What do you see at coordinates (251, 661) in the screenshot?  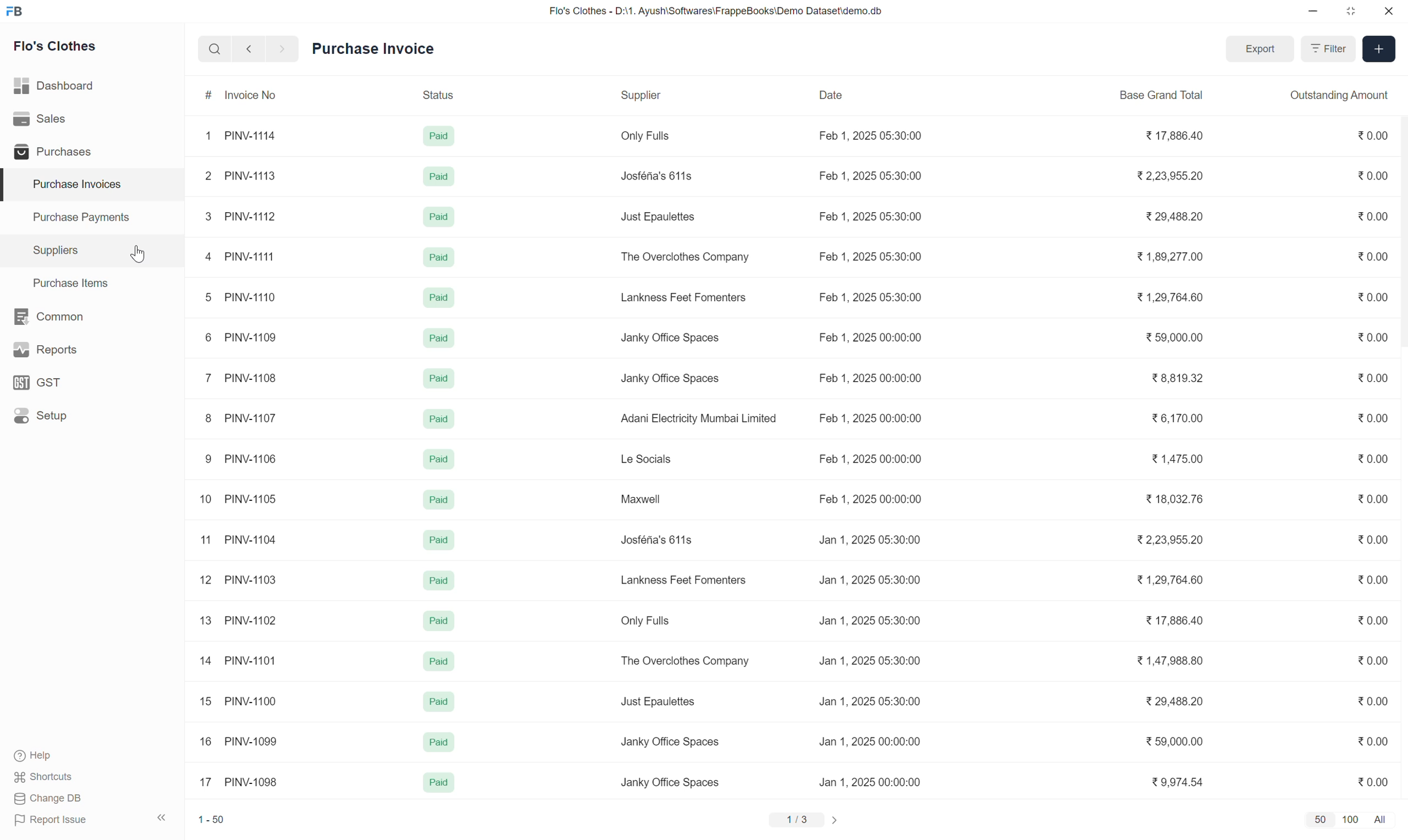 I see `PINV-1101` at bounding box center [251, 661].